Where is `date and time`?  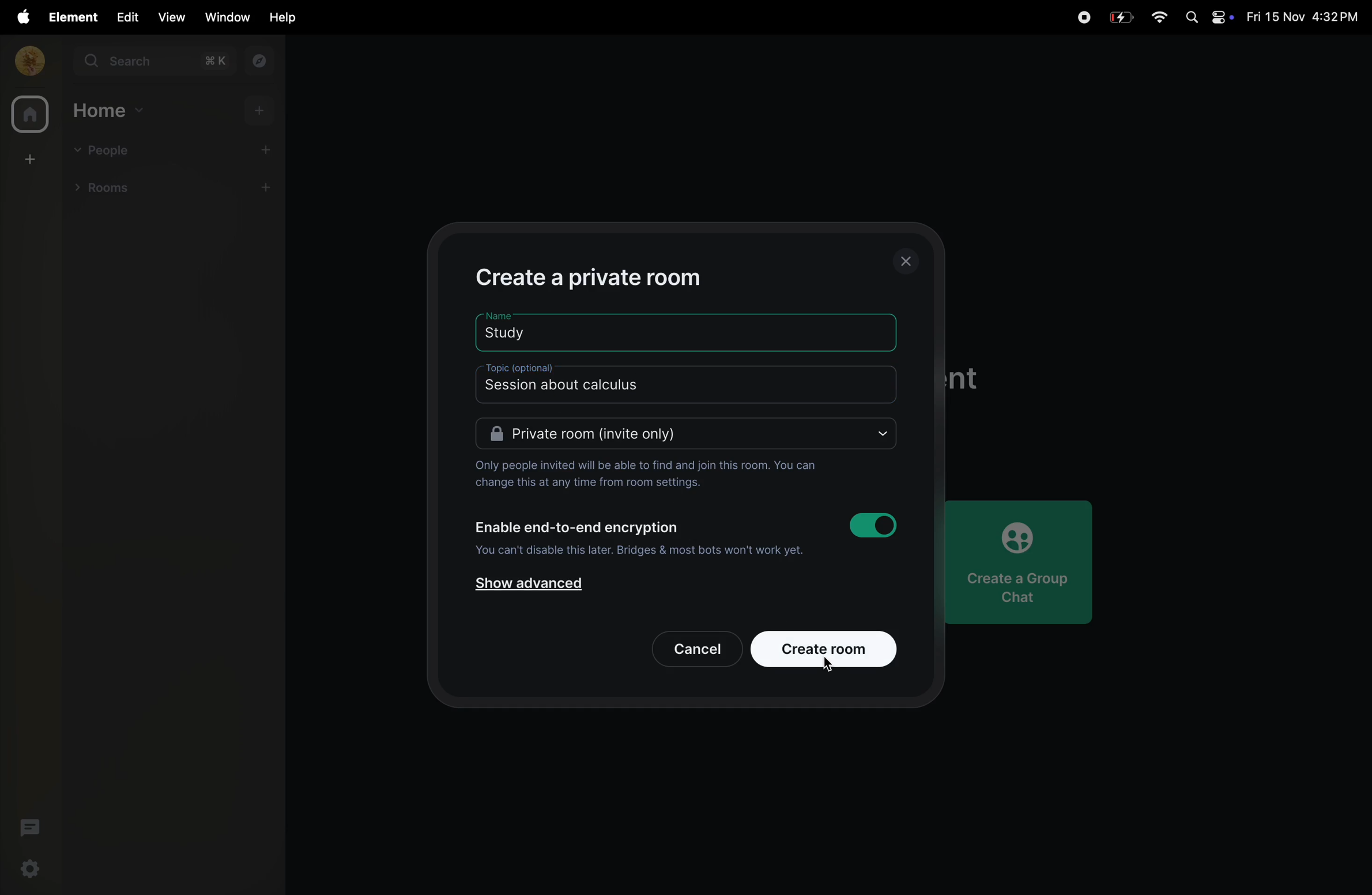 date and time is located at coordinates (1302, 17).